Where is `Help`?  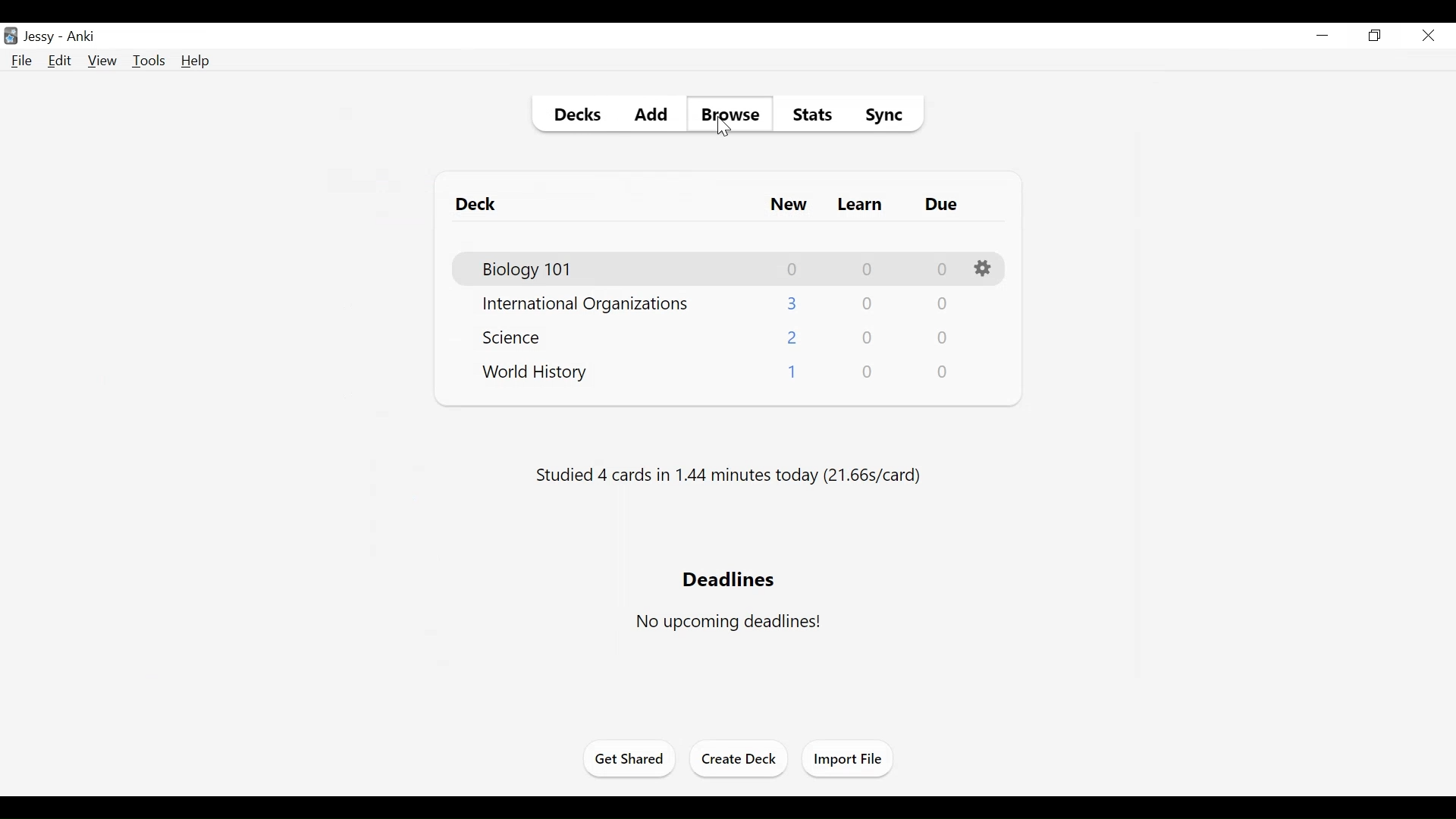 Help is located at coordinates (194, 61).